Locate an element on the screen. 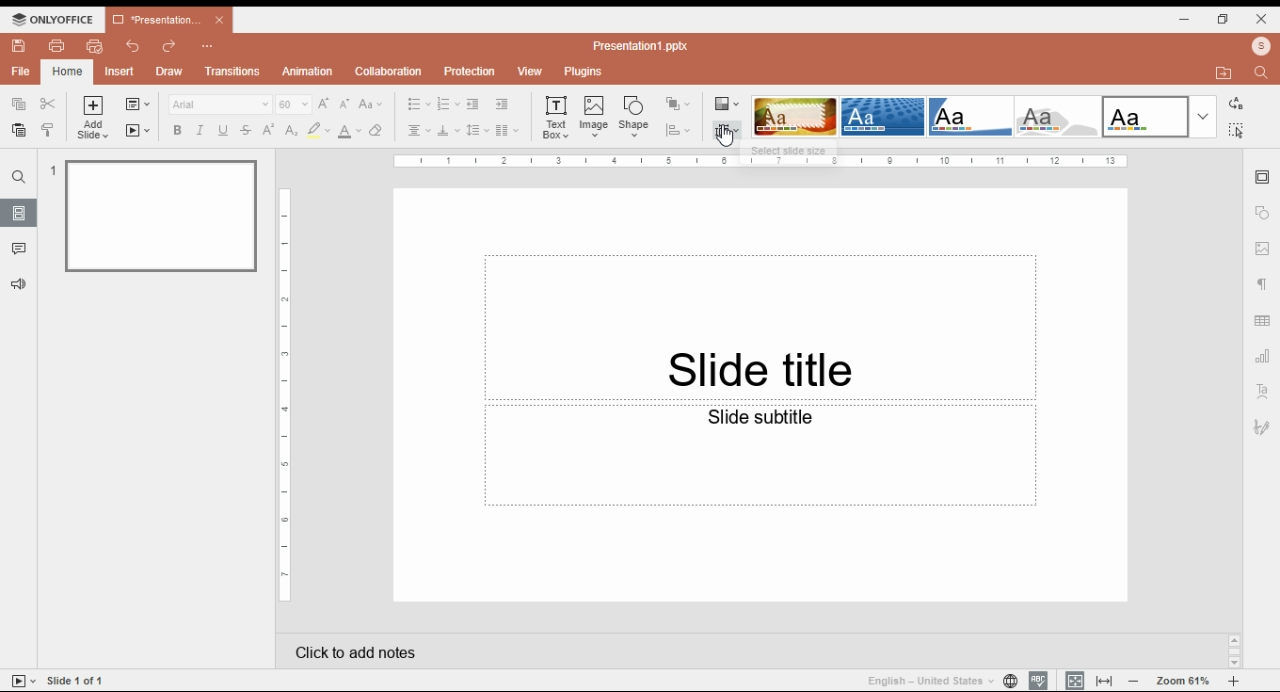 Image resolution: width=1280 pixels, height=692 pixels. erase is located at coordinates (377, 131).